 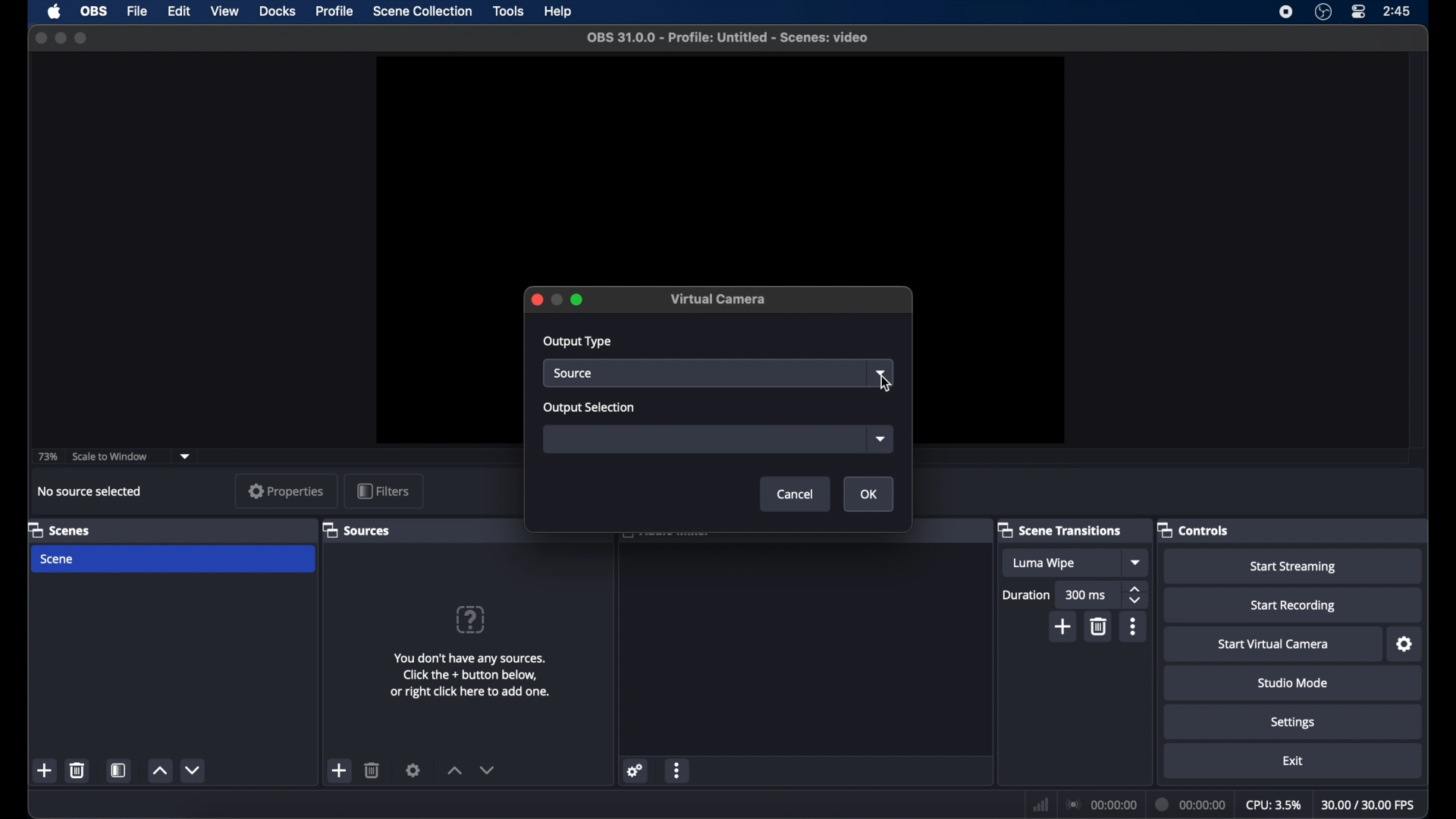 I want to click on preview, so click(x=720, y=167).